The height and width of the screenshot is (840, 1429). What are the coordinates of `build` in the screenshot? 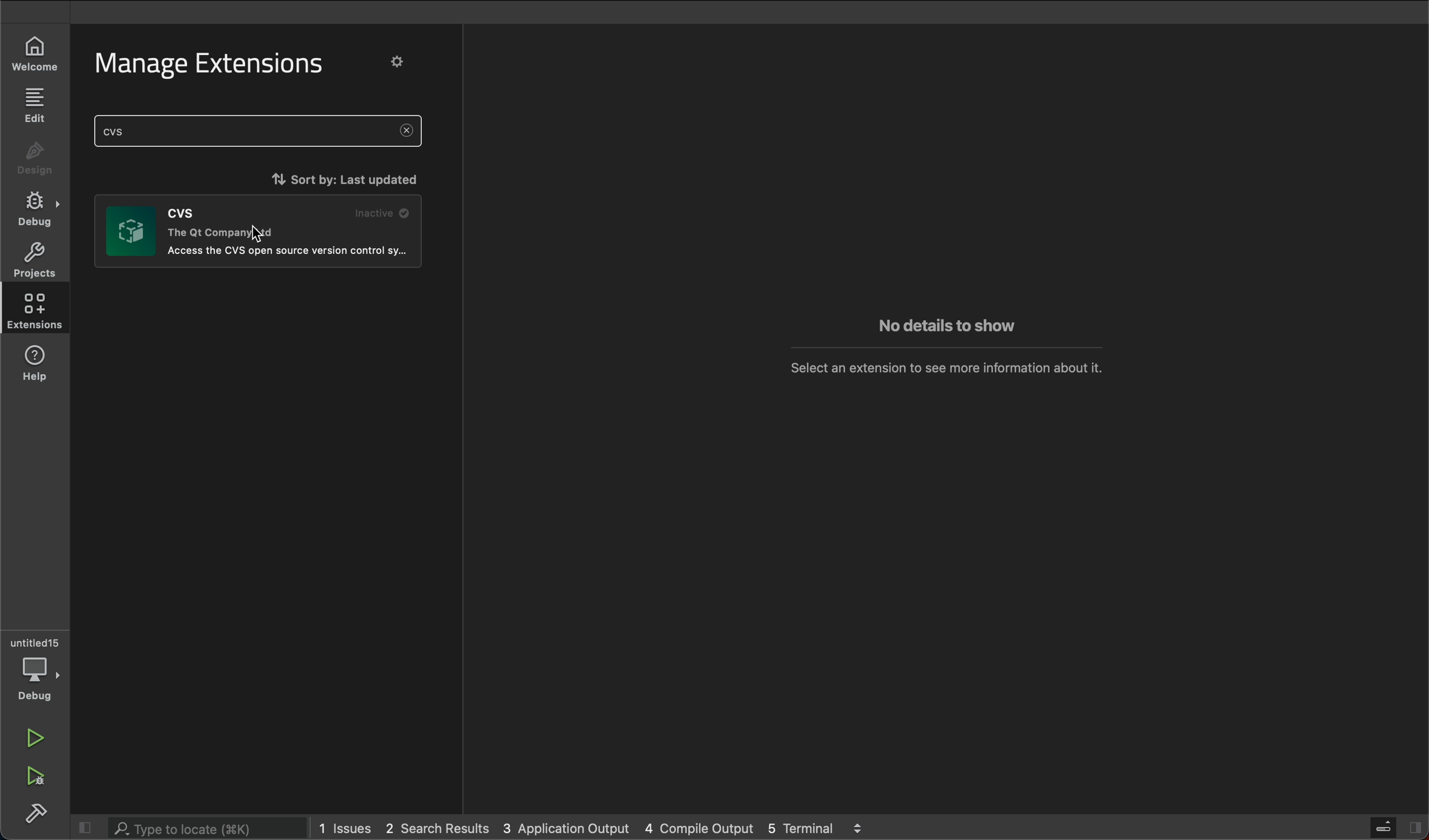 It's located at (40, 817).